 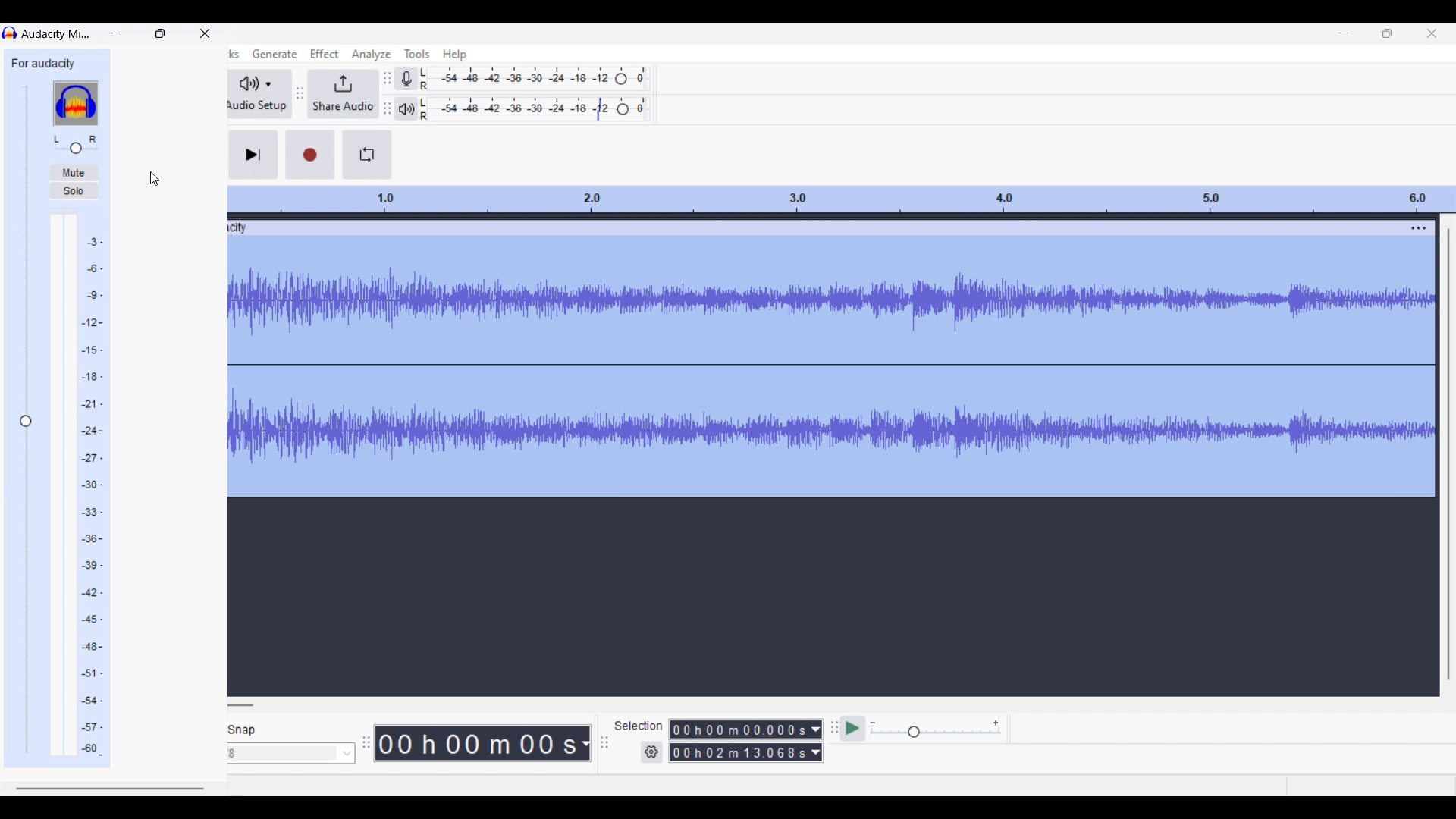 What do you see at coordinates (455, 55) in the screenshot?
I see `Help menu` at bounding box center [455, 55].